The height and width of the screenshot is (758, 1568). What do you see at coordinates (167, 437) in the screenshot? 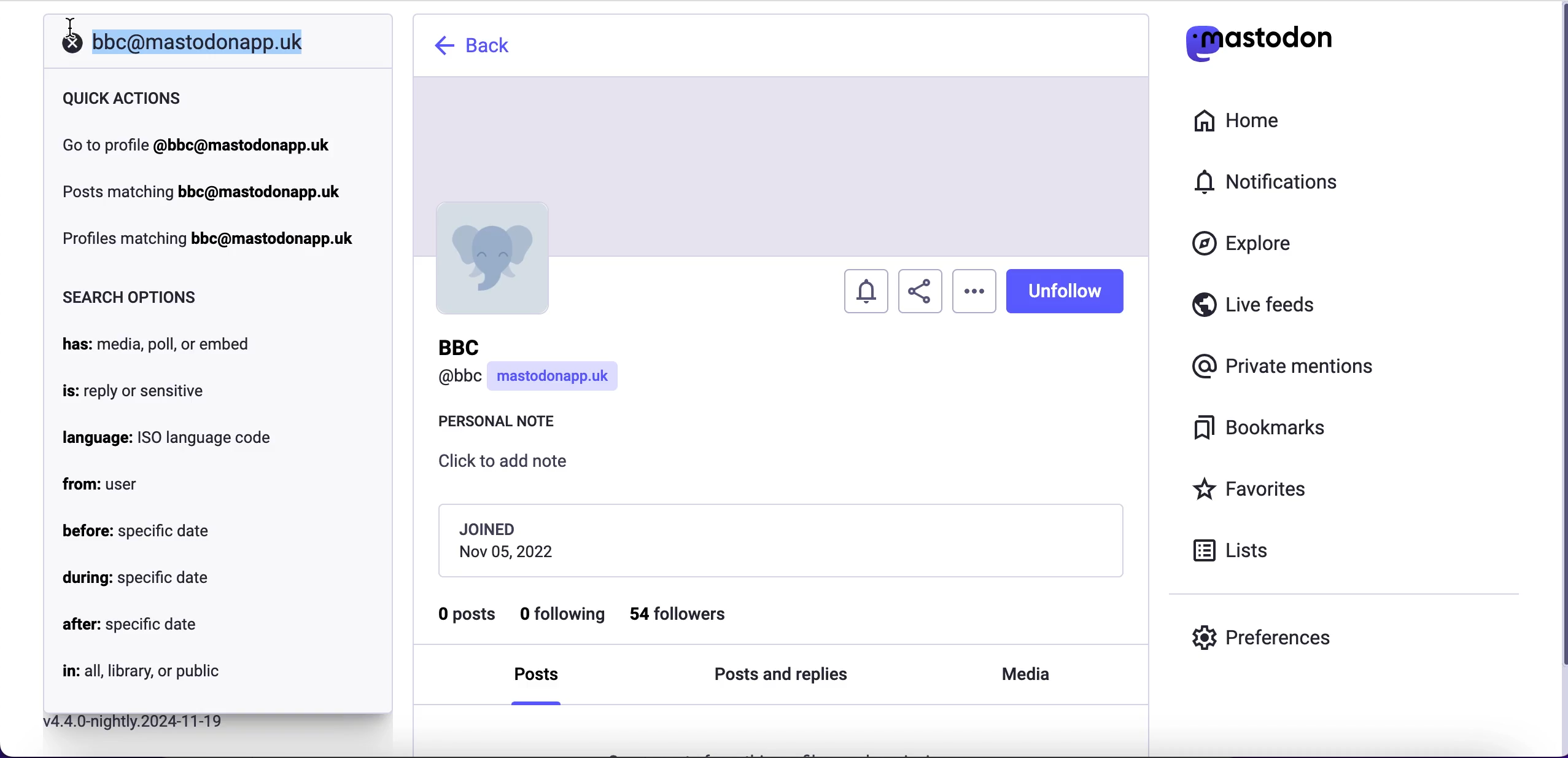
I see `language: ISO language code` at bounding box center [167, 437].